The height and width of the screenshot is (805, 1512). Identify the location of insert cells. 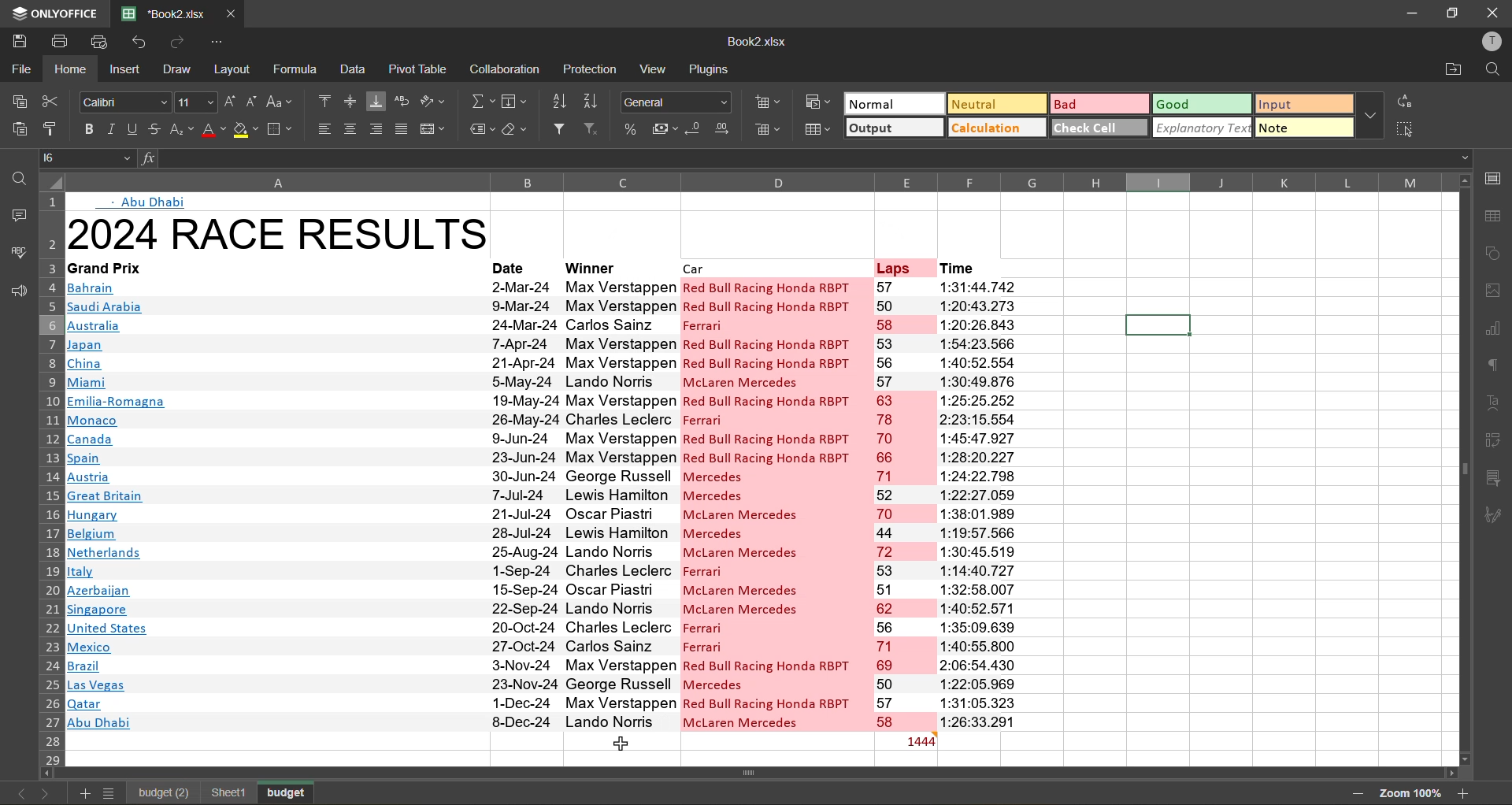
(770, 106).